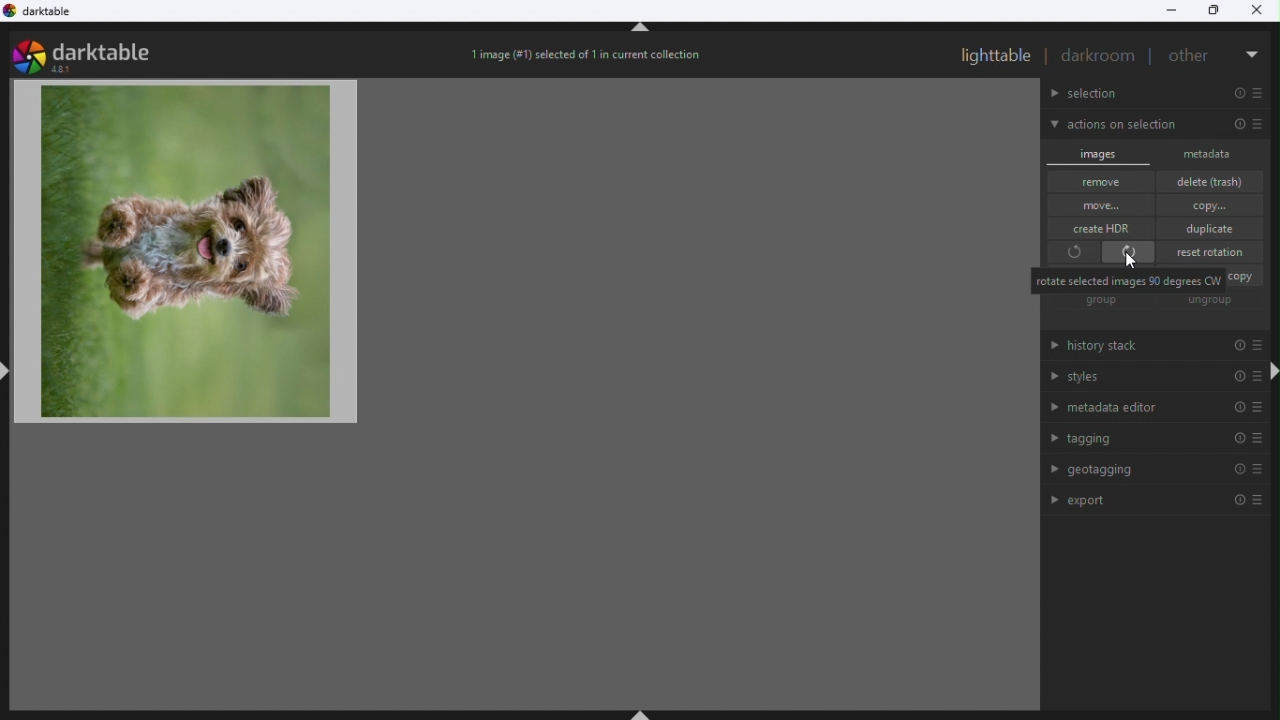  What do you see at coordinates (1101, 152) in the screenshot?
I see `Images` at bounding box center [1101, 152].